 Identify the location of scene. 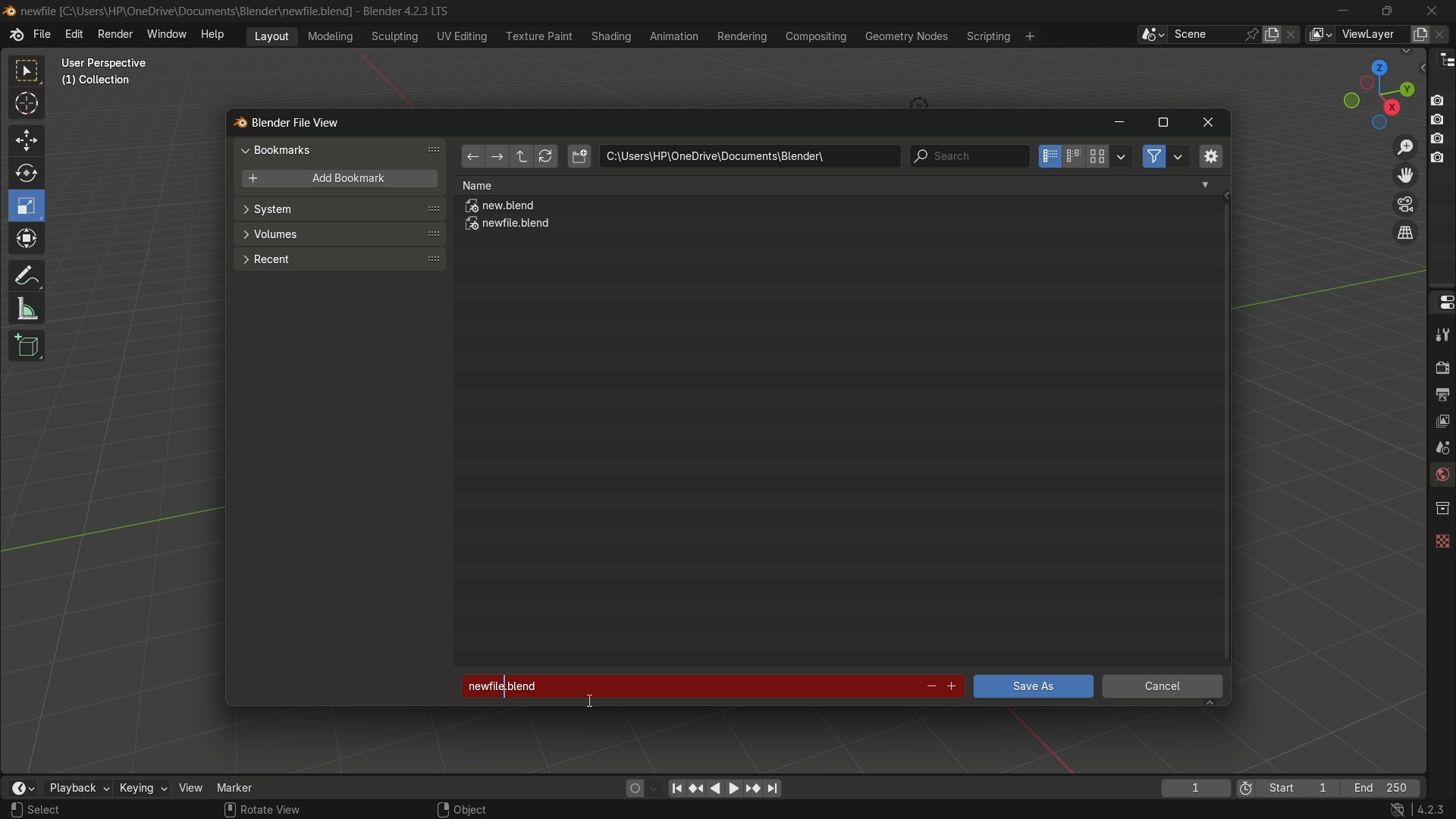
(1439, 447).